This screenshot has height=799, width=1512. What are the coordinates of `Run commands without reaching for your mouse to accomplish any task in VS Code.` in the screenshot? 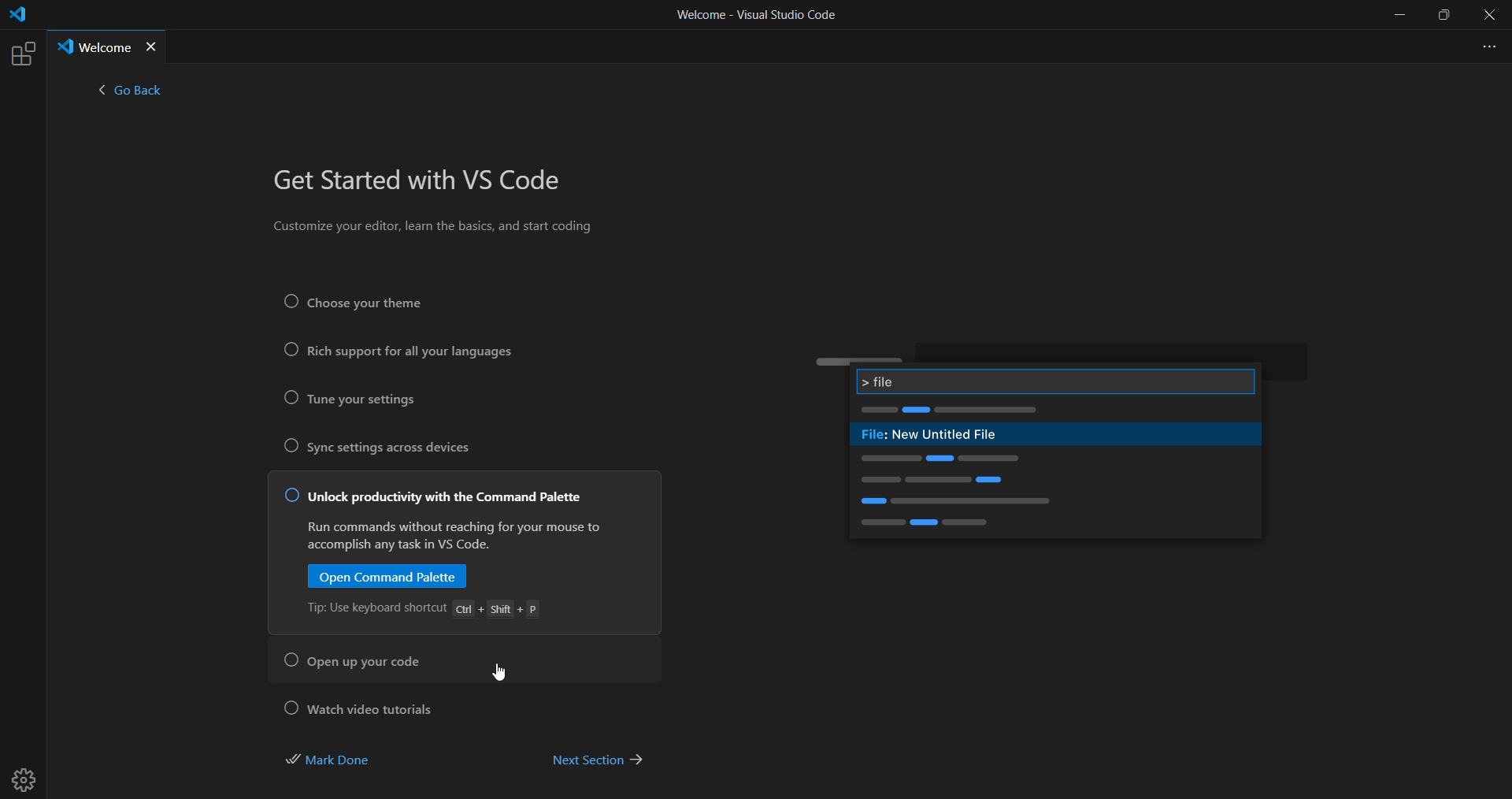 It's located at (454, 537).